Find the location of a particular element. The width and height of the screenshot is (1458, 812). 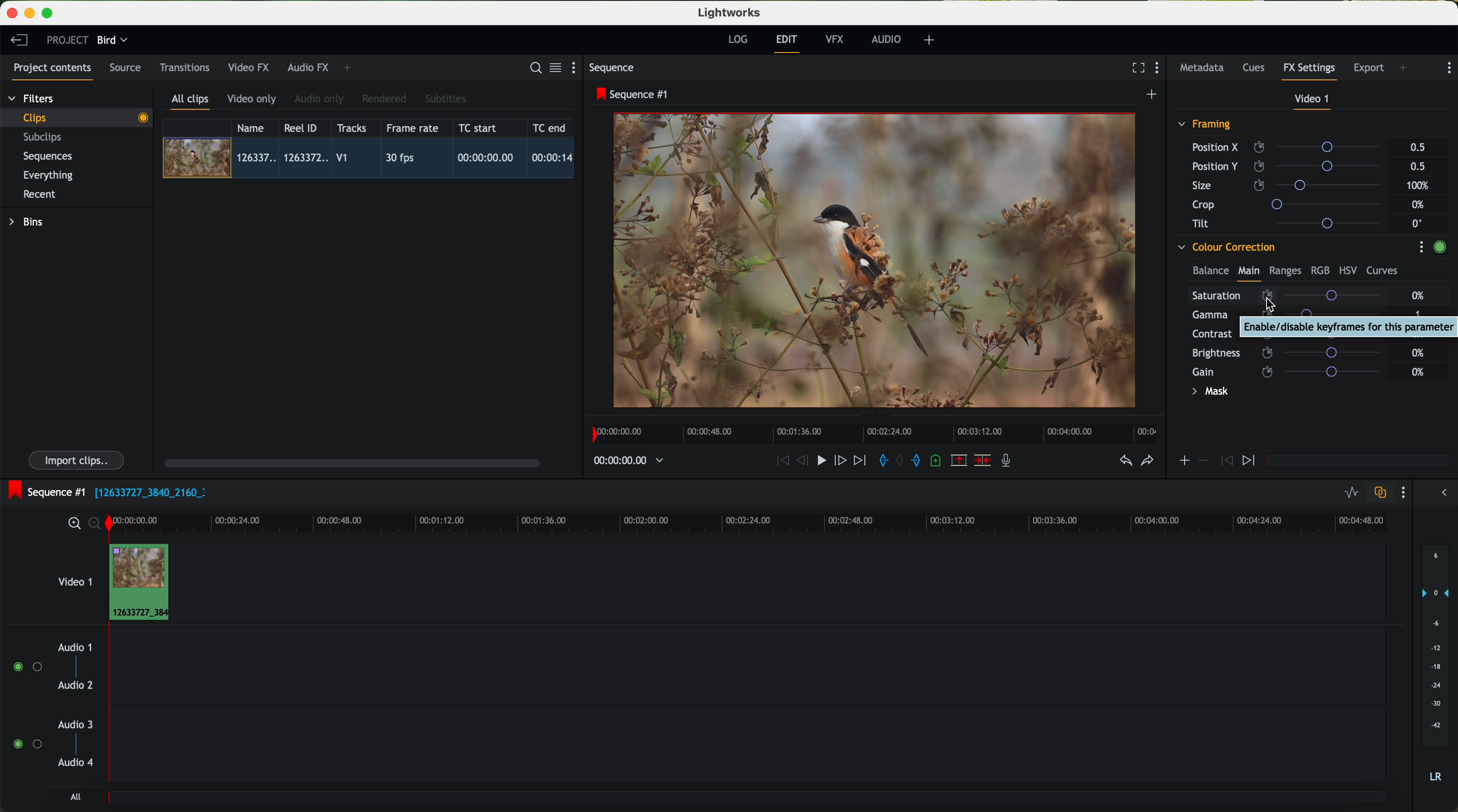

0.5 is located at coordinates (1417, 166).